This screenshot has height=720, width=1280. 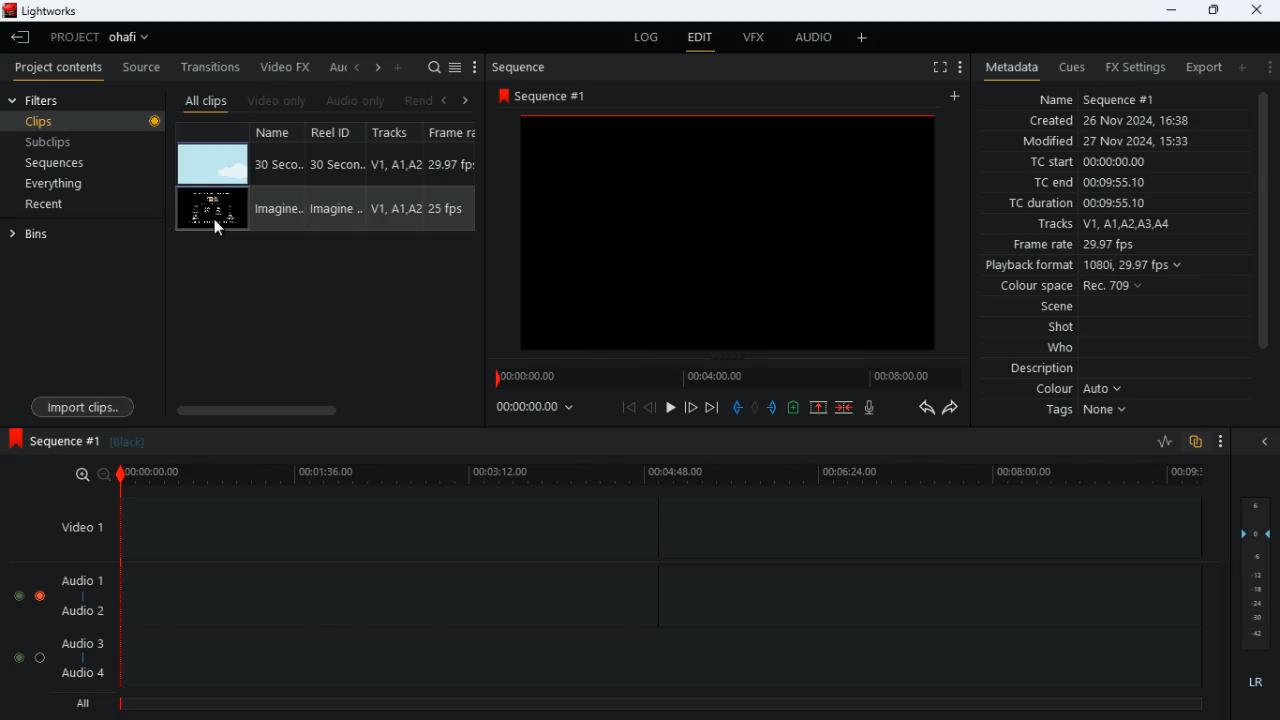 I want to click on Frame rate, so click(x=453, y=165).